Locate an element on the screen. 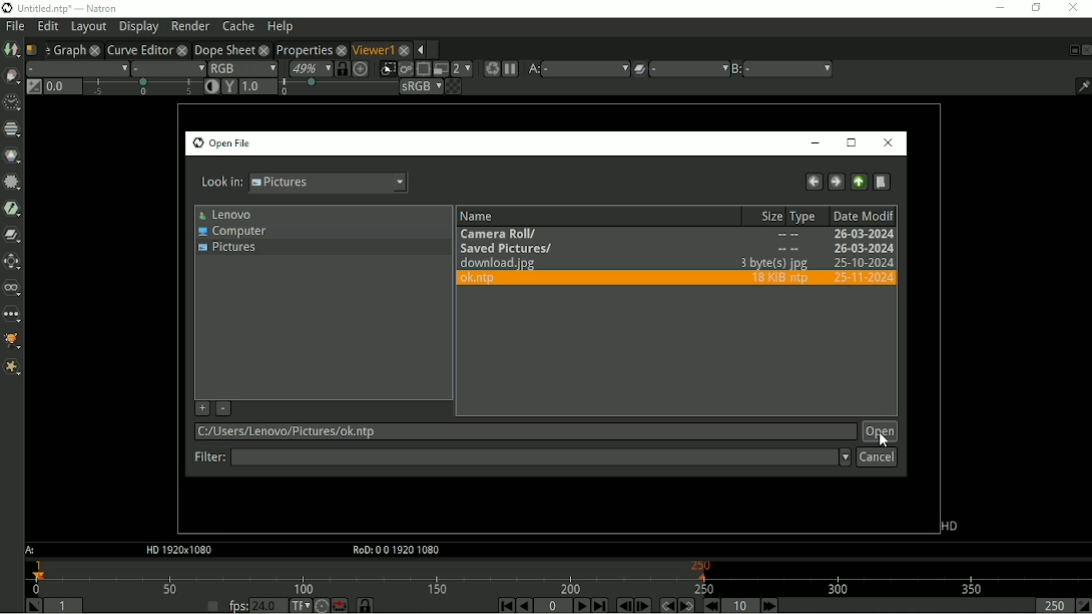 The width and height of the screenshot is (1092, 614). pictures is located at coordinates (332, 182).